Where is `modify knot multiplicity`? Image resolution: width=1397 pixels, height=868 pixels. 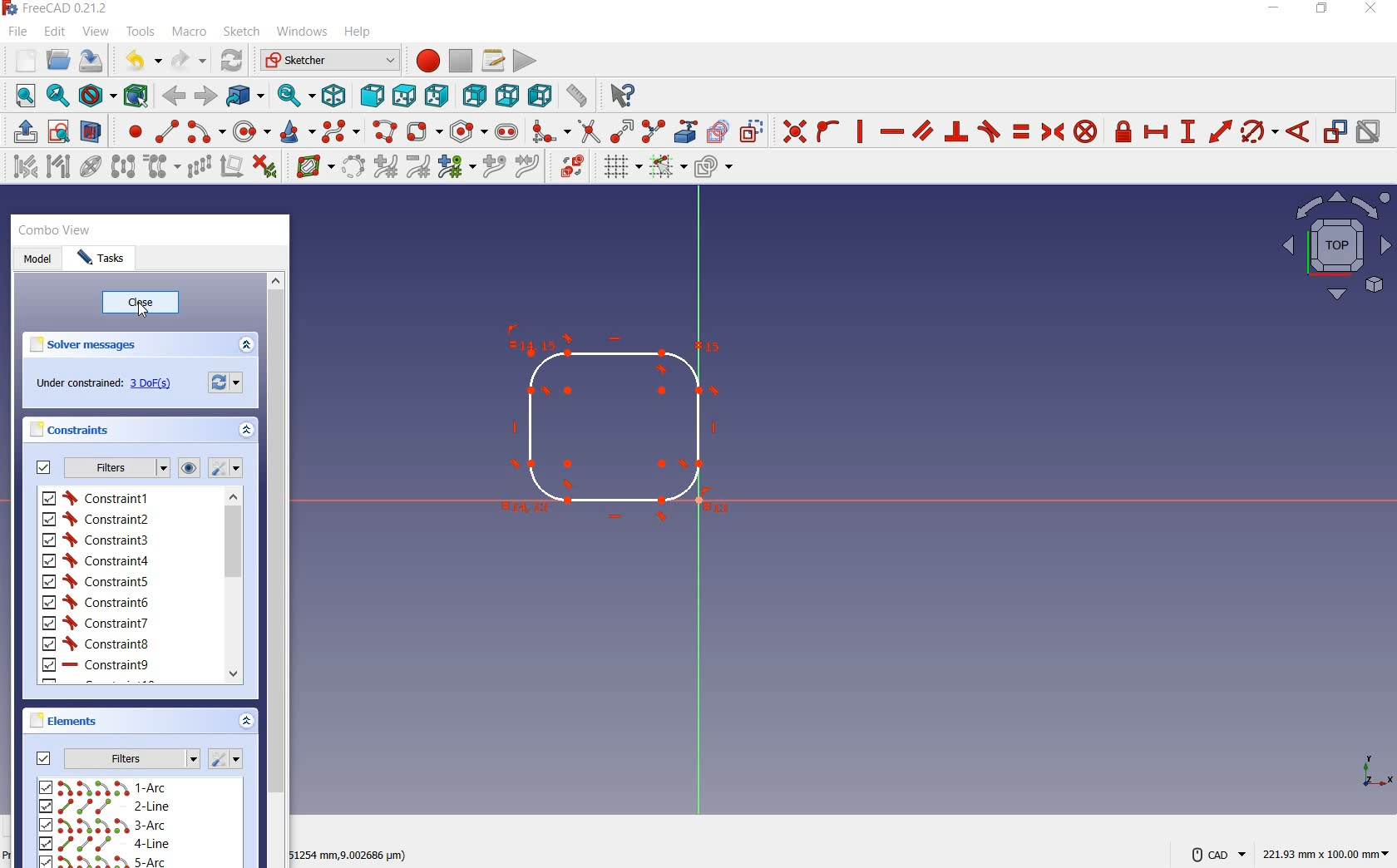 modify knot multiplicity is located at coordinates (455, 166).